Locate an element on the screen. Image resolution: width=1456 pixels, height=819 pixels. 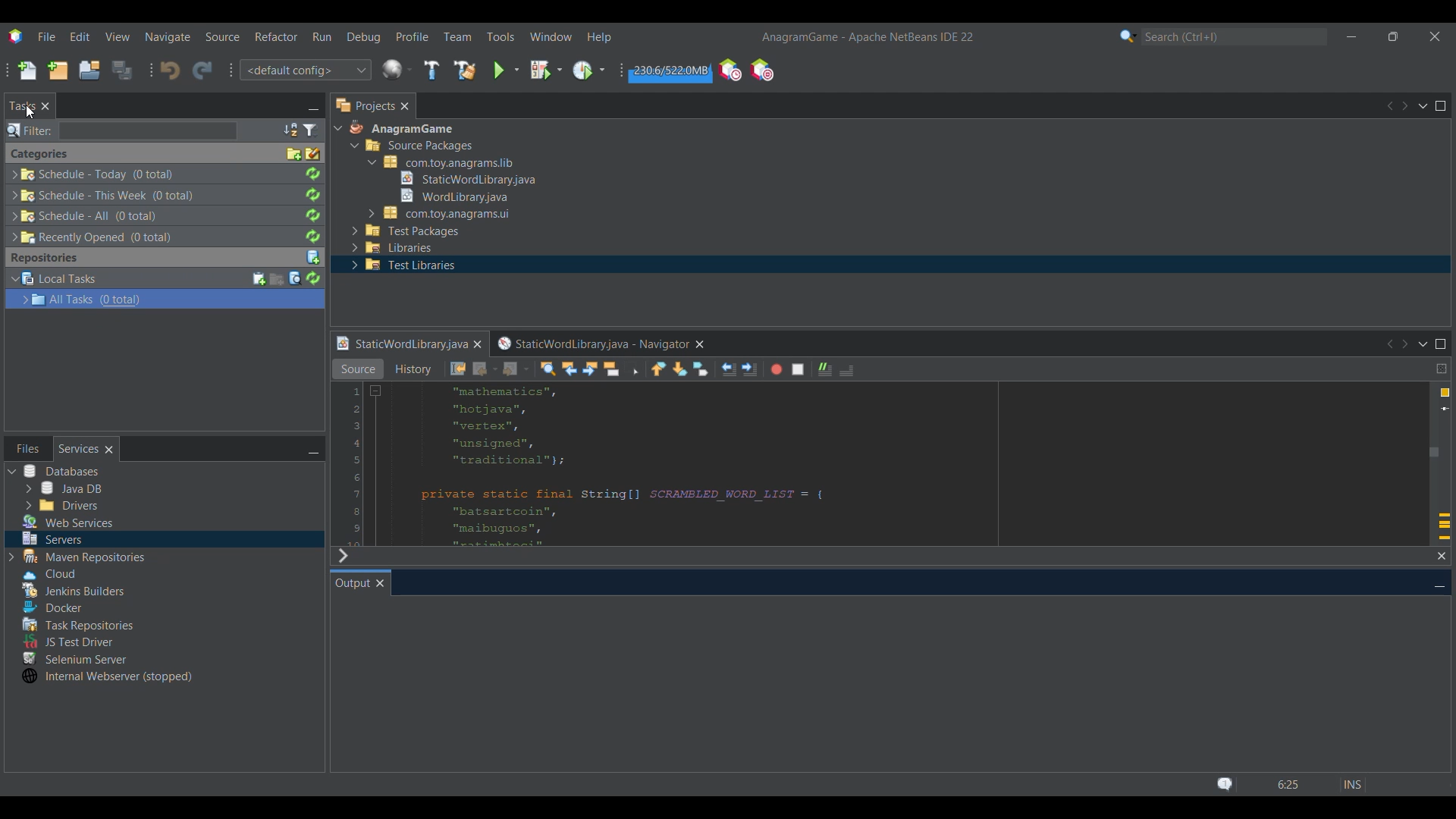
Next is located at coordinates (1407, 344).